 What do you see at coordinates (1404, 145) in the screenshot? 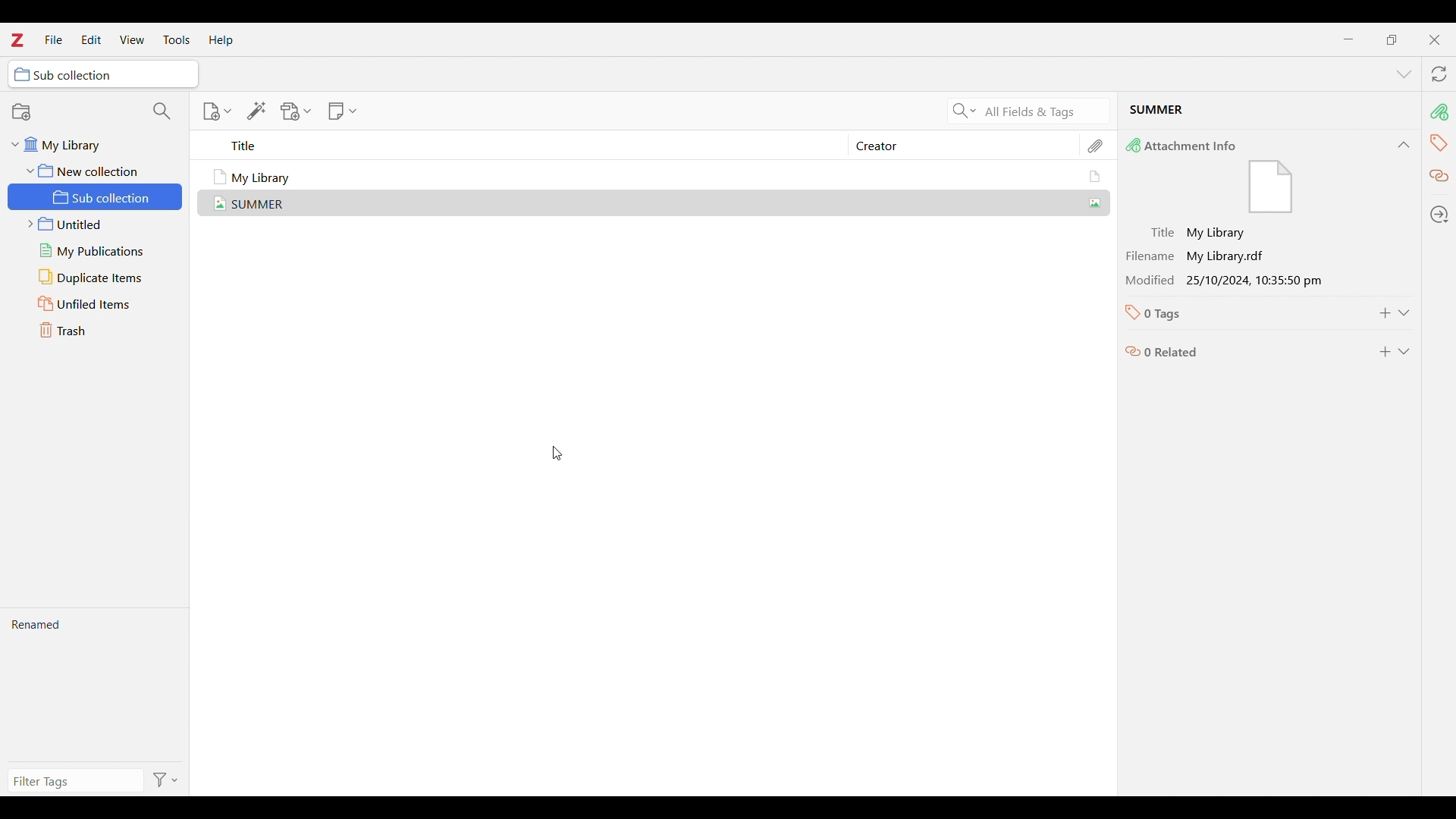
I see `Collapse` at bounding box center [1404, 145].